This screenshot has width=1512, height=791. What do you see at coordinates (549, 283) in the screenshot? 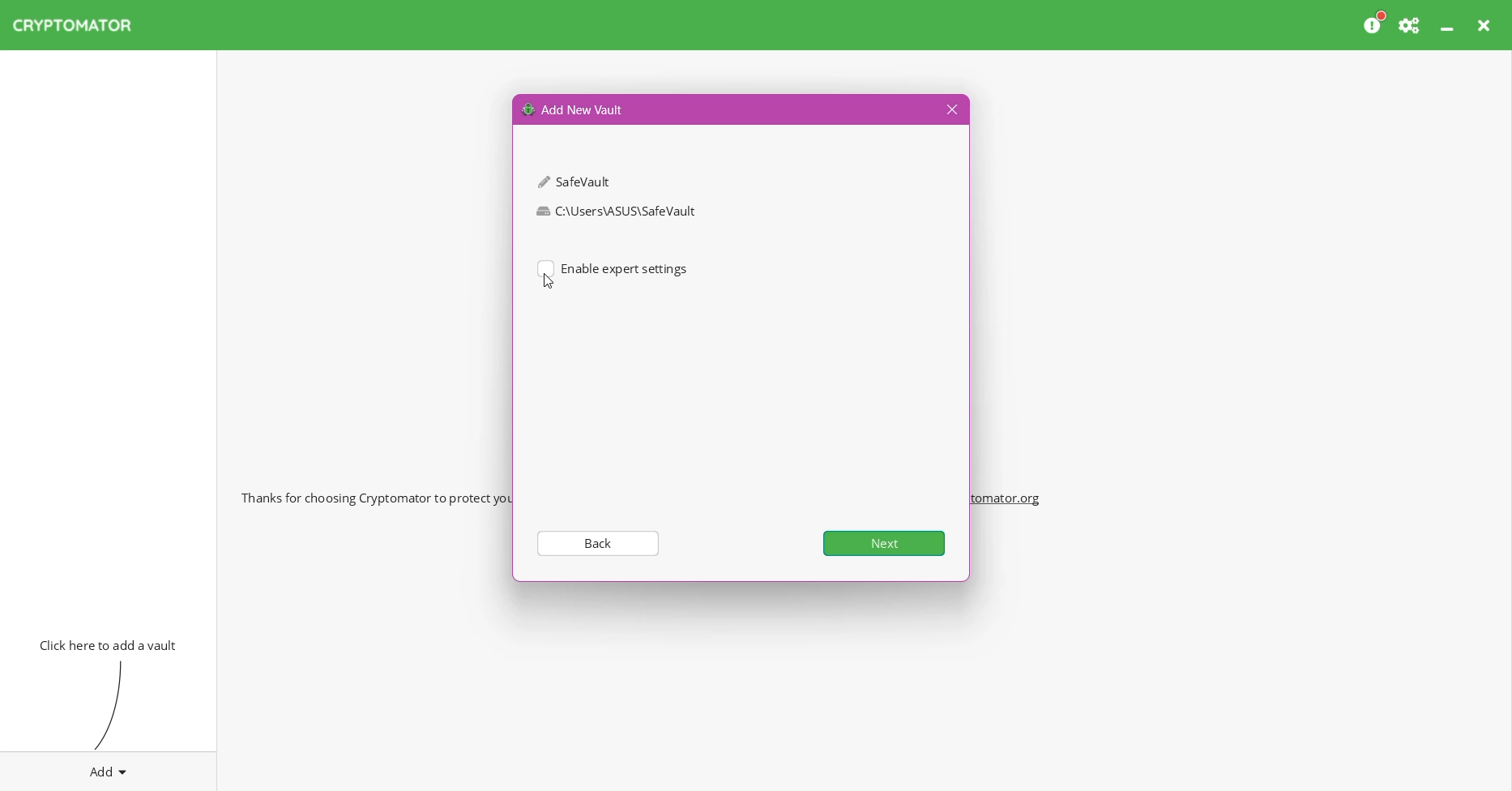
I see `Cursor` at bounding box center [549, 283].